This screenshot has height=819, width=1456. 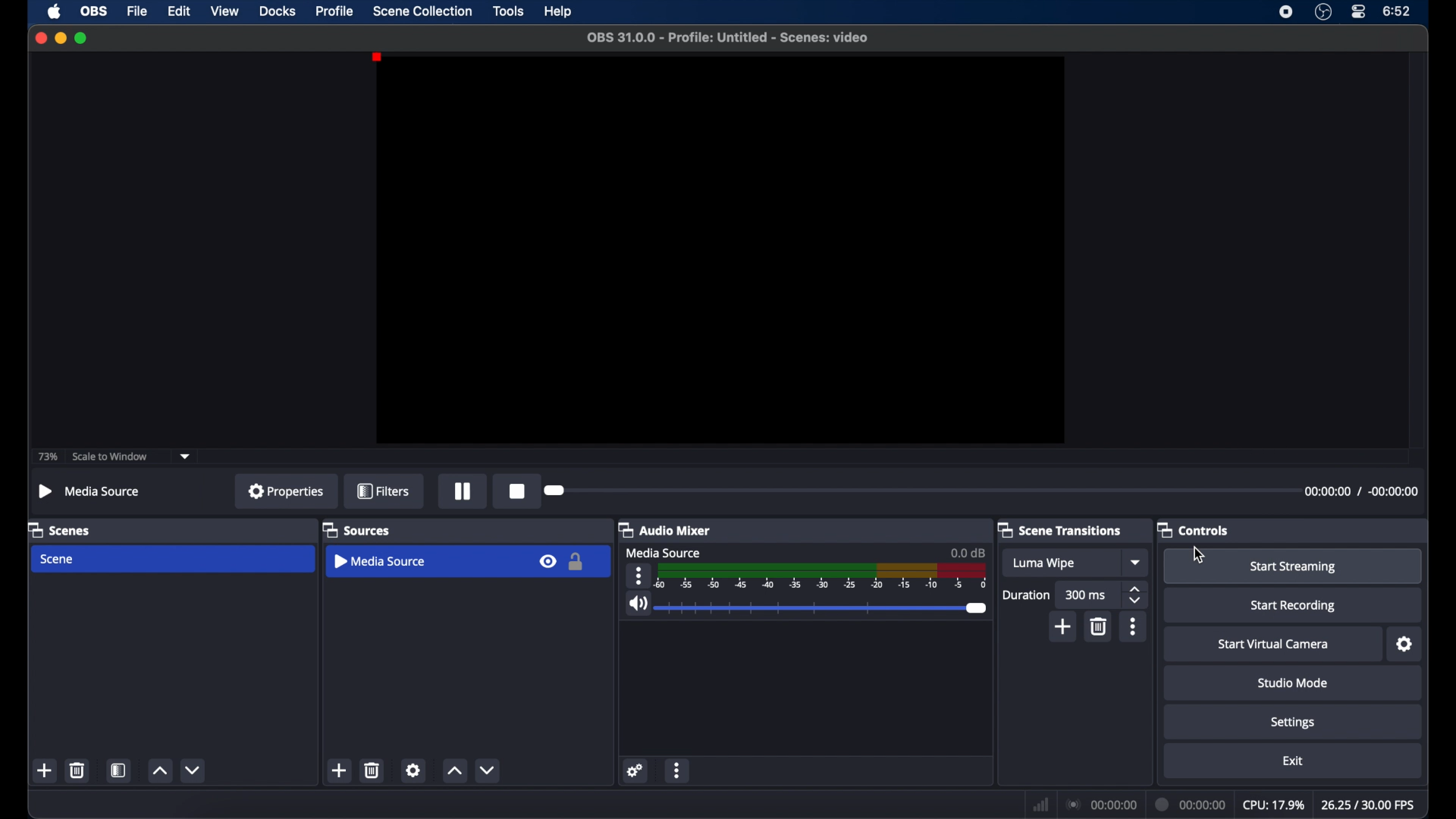 I want to click on scene transitions, so click(x=1059, y=529).